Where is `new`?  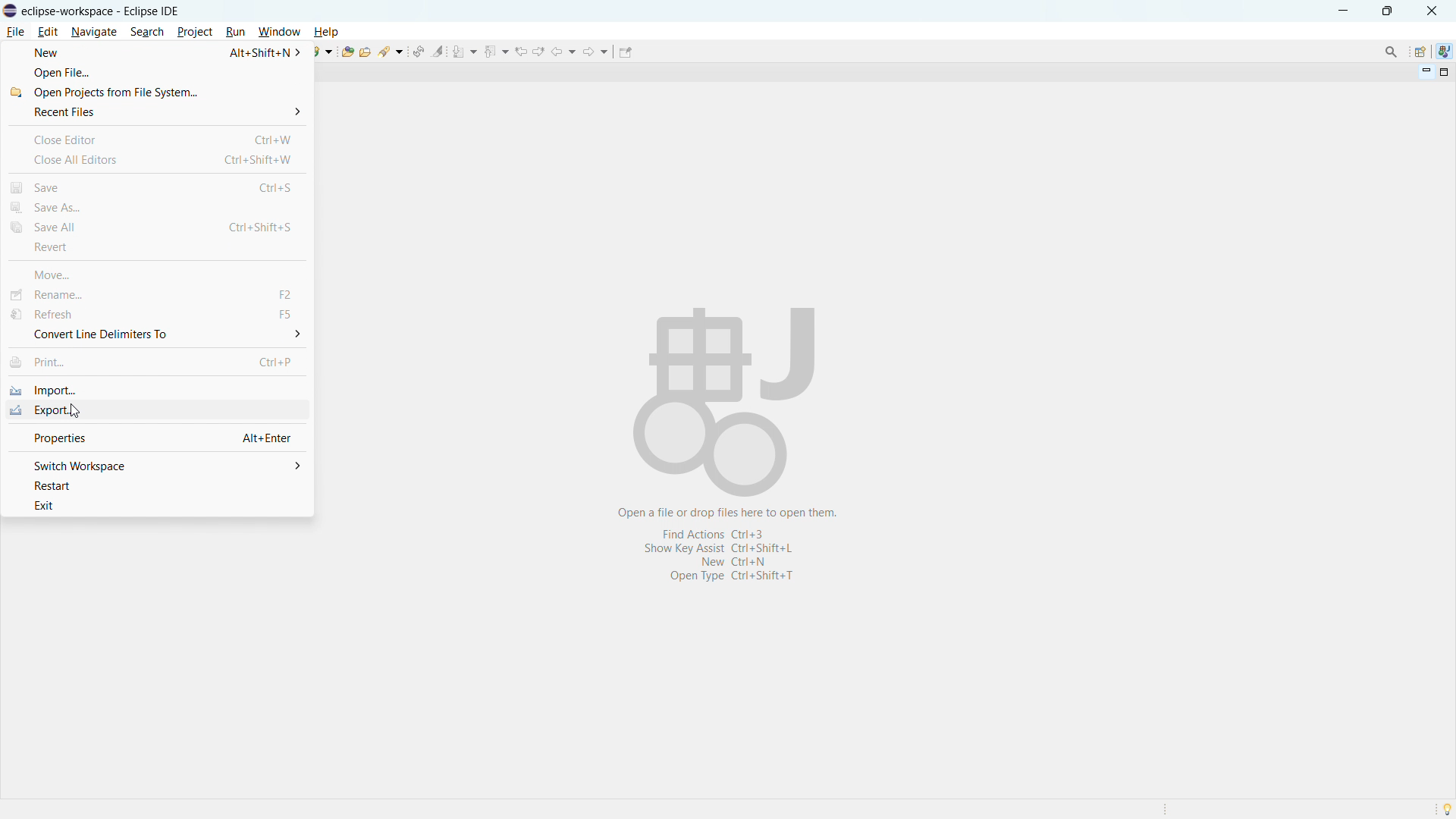 new is located at coordinates (156, 52).